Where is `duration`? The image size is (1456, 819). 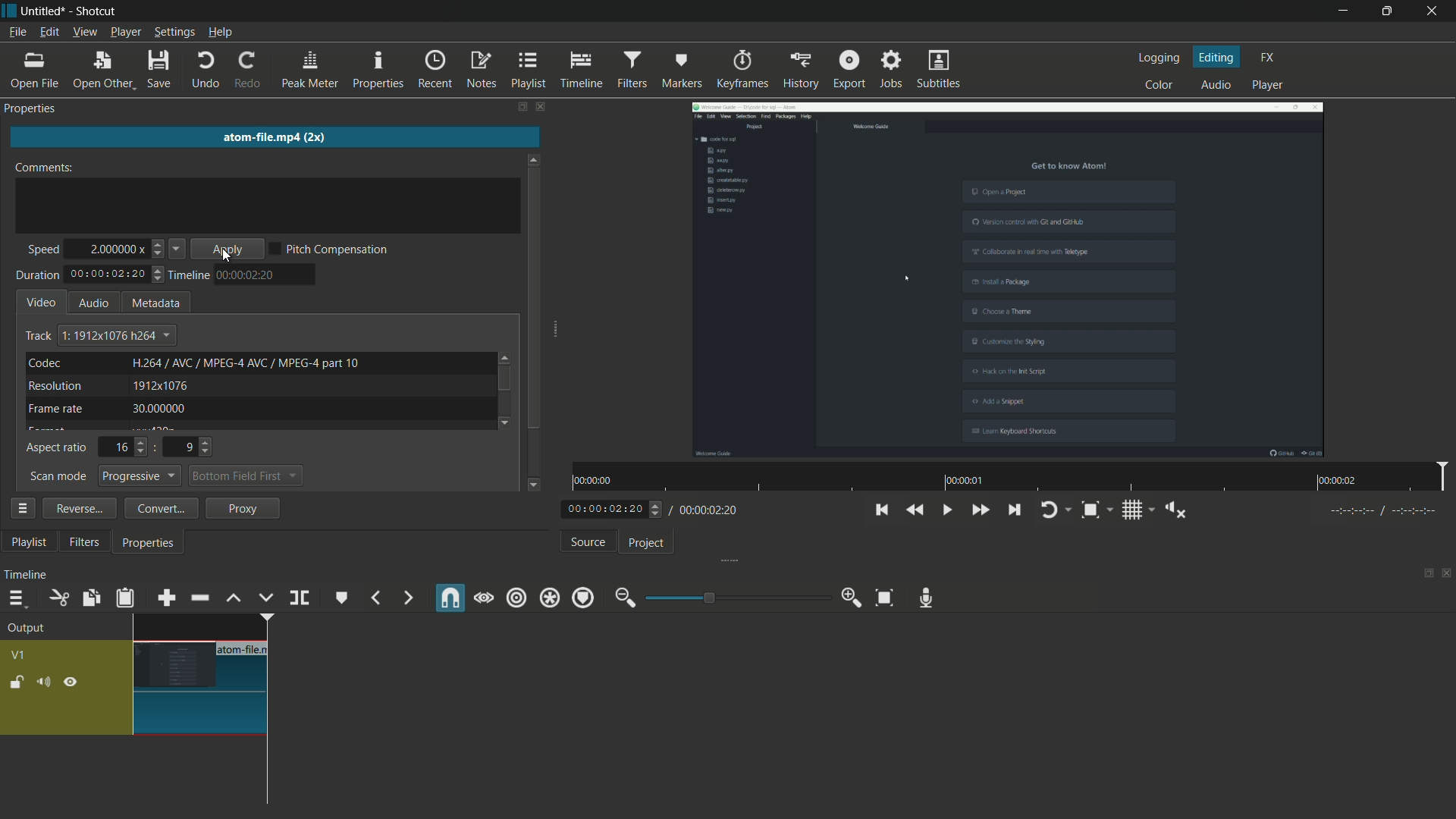
duration is located at coordinates (37, 275).